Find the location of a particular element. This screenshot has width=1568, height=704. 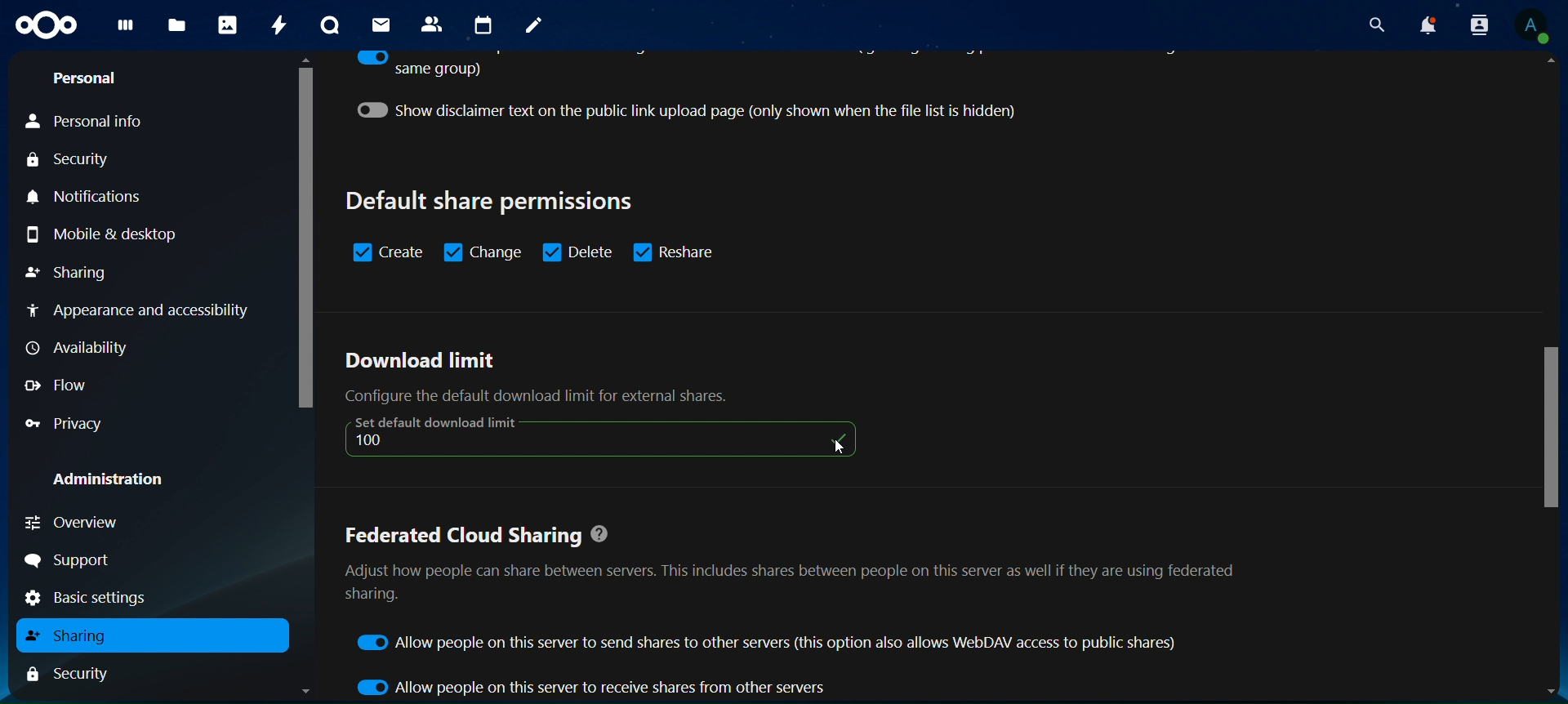

notifications is located at coordinates (99, 198).